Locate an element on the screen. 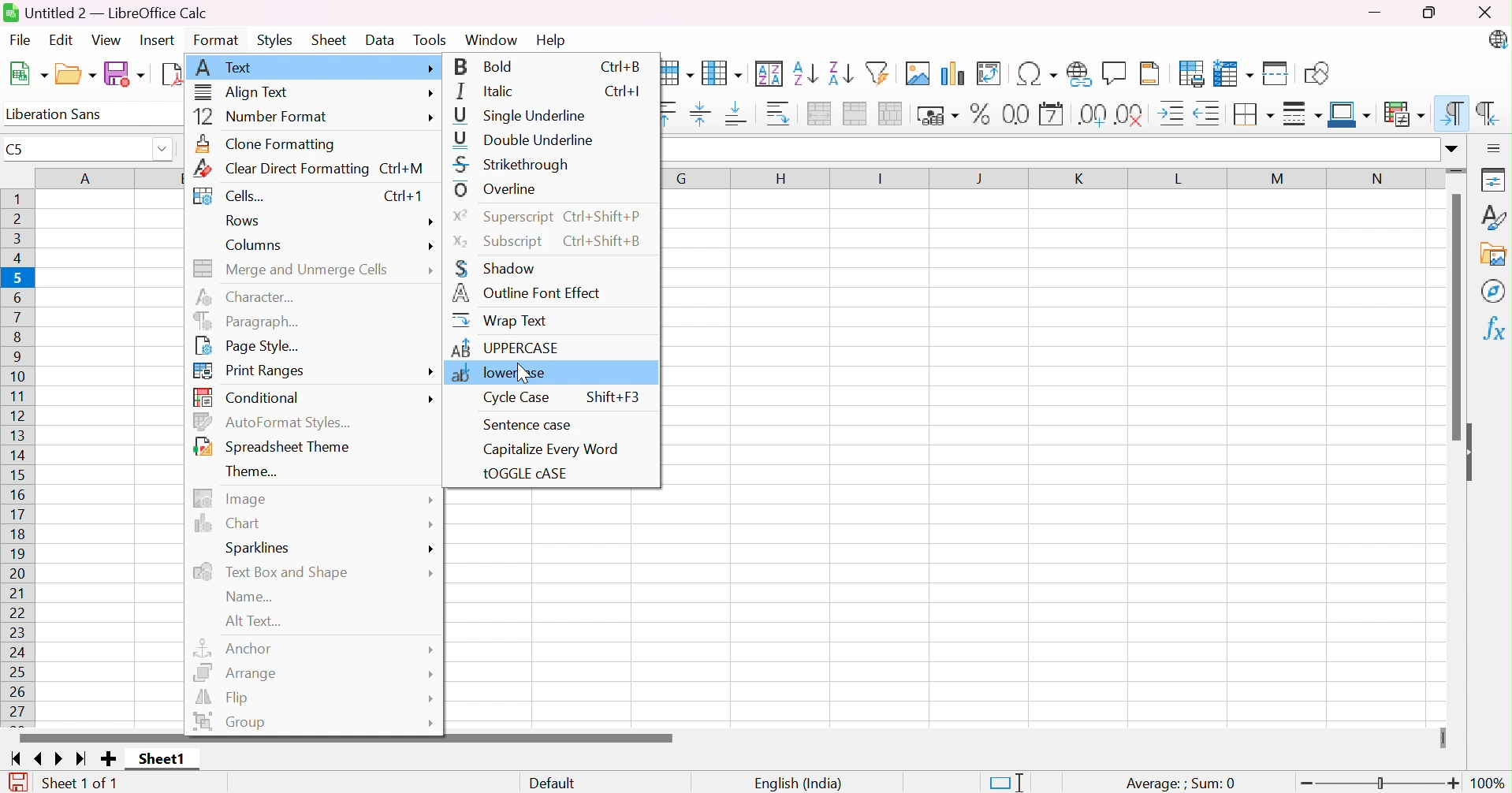 The width and height of the screenshot is (1512, 793). more is located at coordinates (430, 374).